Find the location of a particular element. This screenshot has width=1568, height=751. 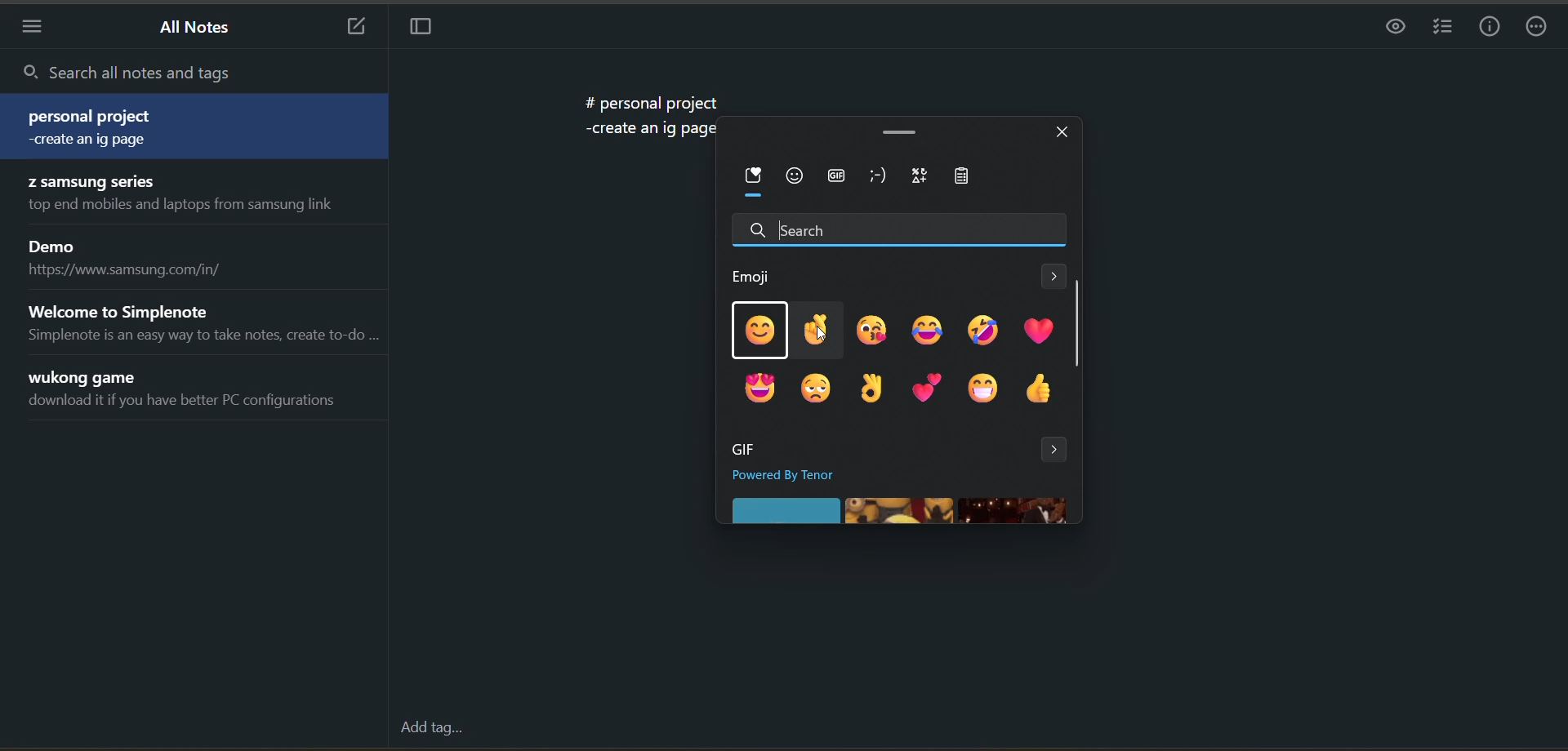

note title and preview is located at coordinates (189, 388).